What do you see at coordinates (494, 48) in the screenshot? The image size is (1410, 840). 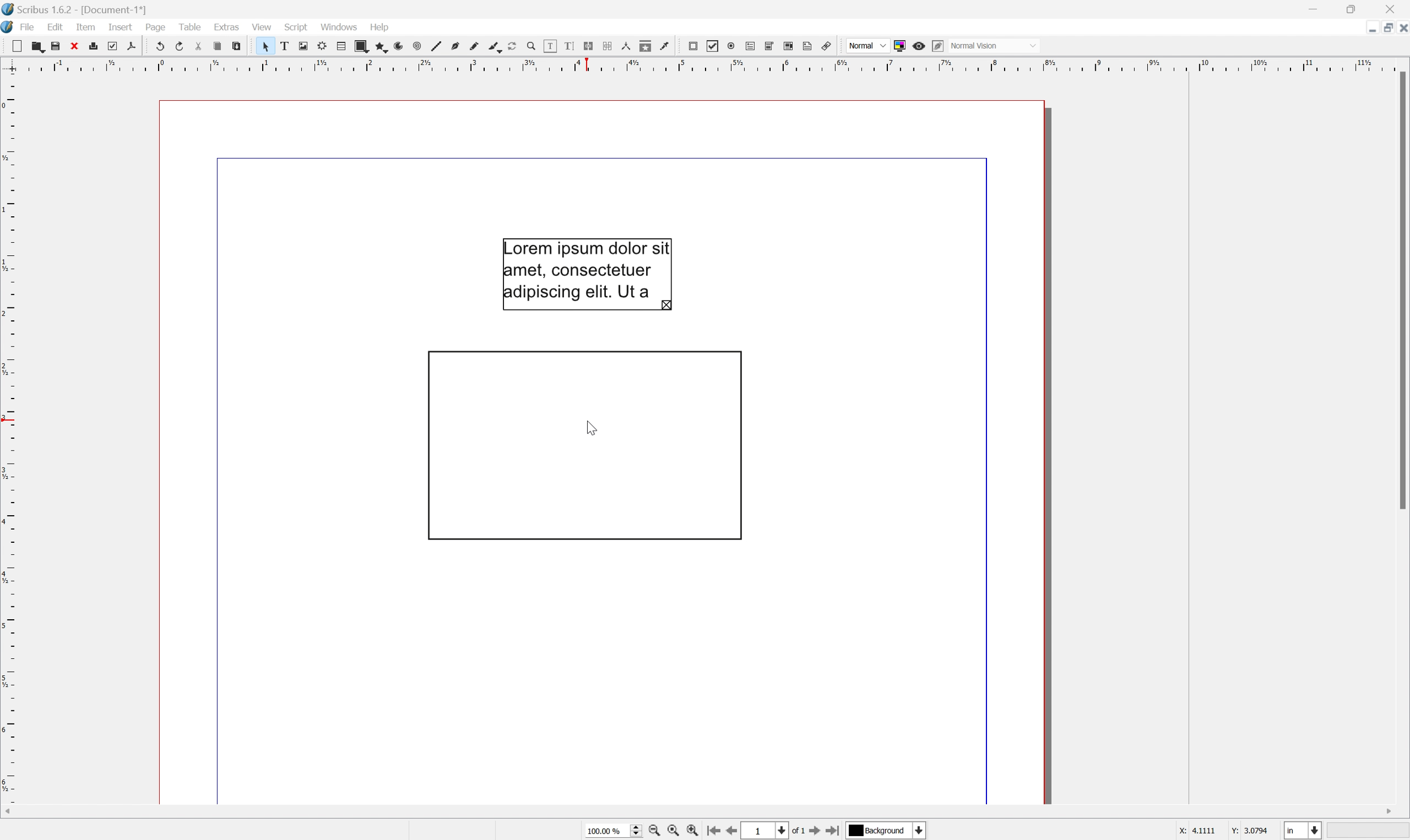 I see `Calligraphic line` at bounding box center [494, 48].